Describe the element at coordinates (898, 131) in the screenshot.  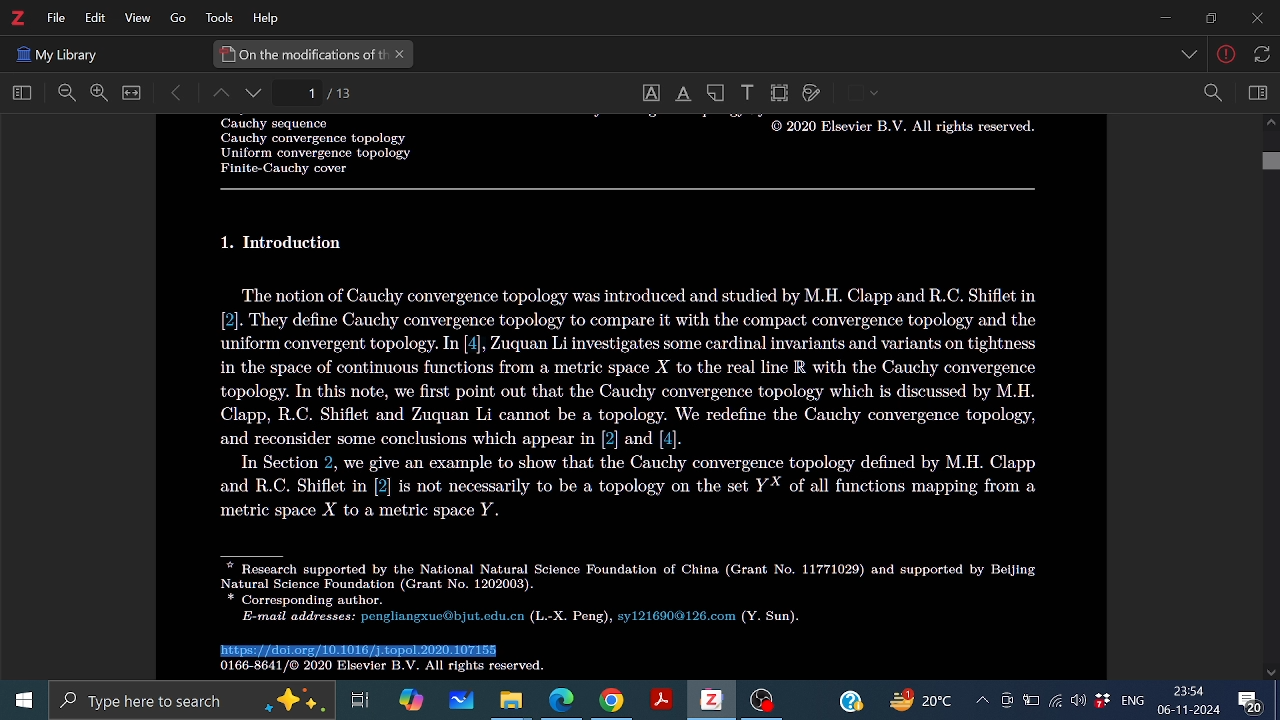
I see `` at that location.